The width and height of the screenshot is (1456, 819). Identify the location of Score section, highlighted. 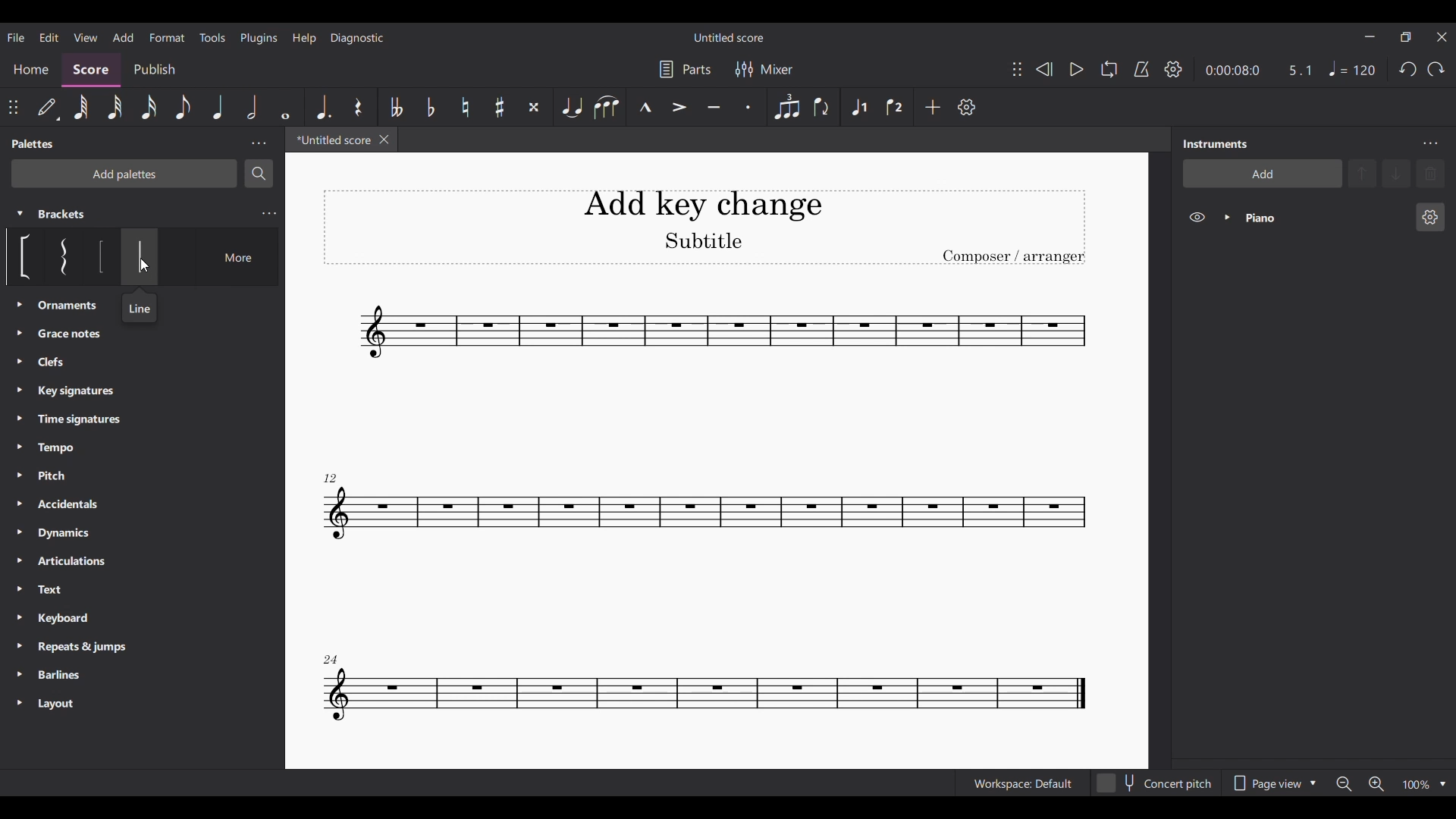
(90, 70).